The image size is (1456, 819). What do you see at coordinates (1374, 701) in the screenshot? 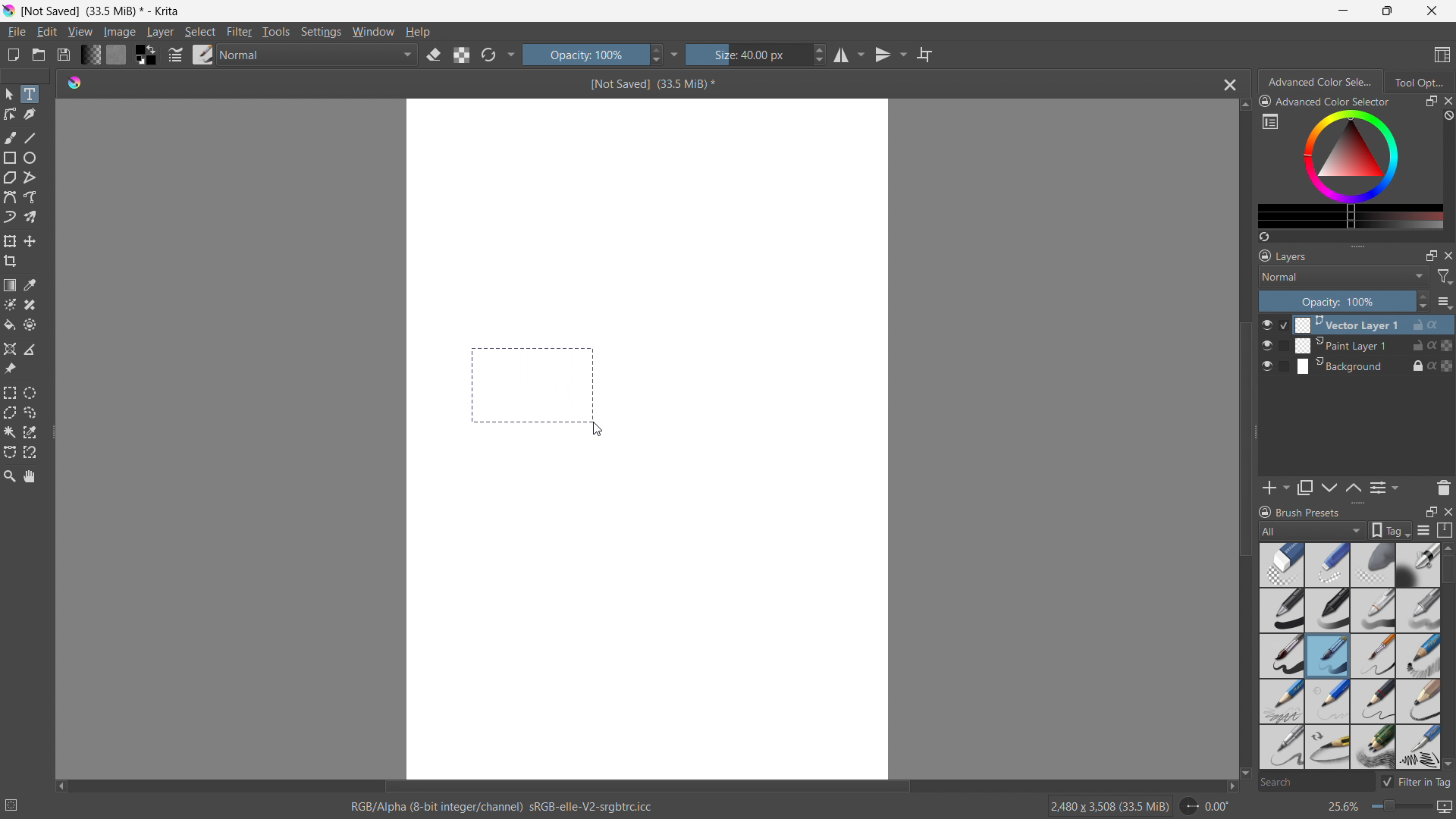
I see `small tip pencil` at bounding box center [1374, 701].